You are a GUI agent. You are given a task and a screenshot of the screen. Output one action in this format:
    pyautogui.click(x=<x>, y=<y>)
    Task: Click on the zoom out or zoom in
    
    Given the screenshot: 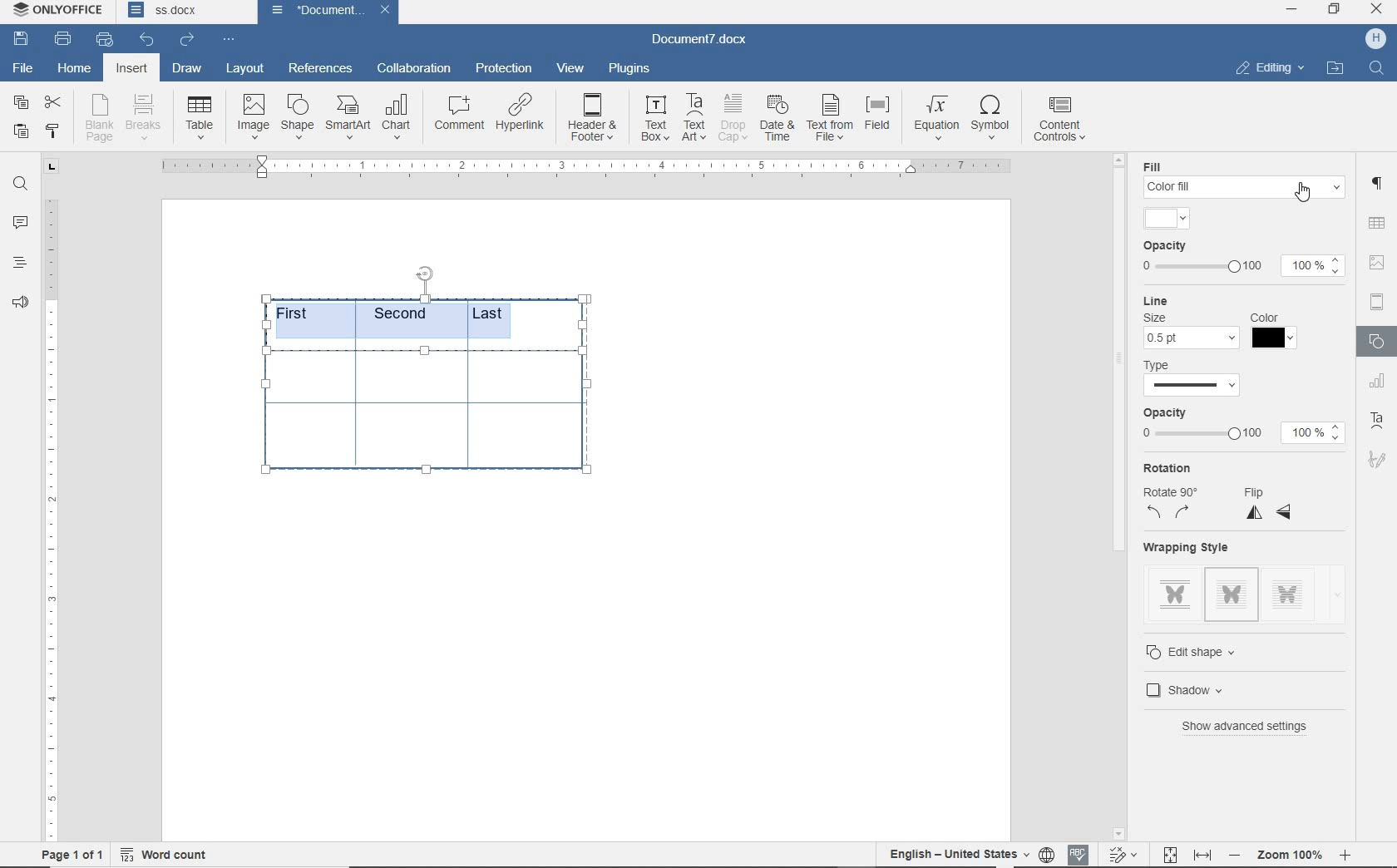 What is the action you would take?
    pyautogui.click(x=1294, y=852)
    